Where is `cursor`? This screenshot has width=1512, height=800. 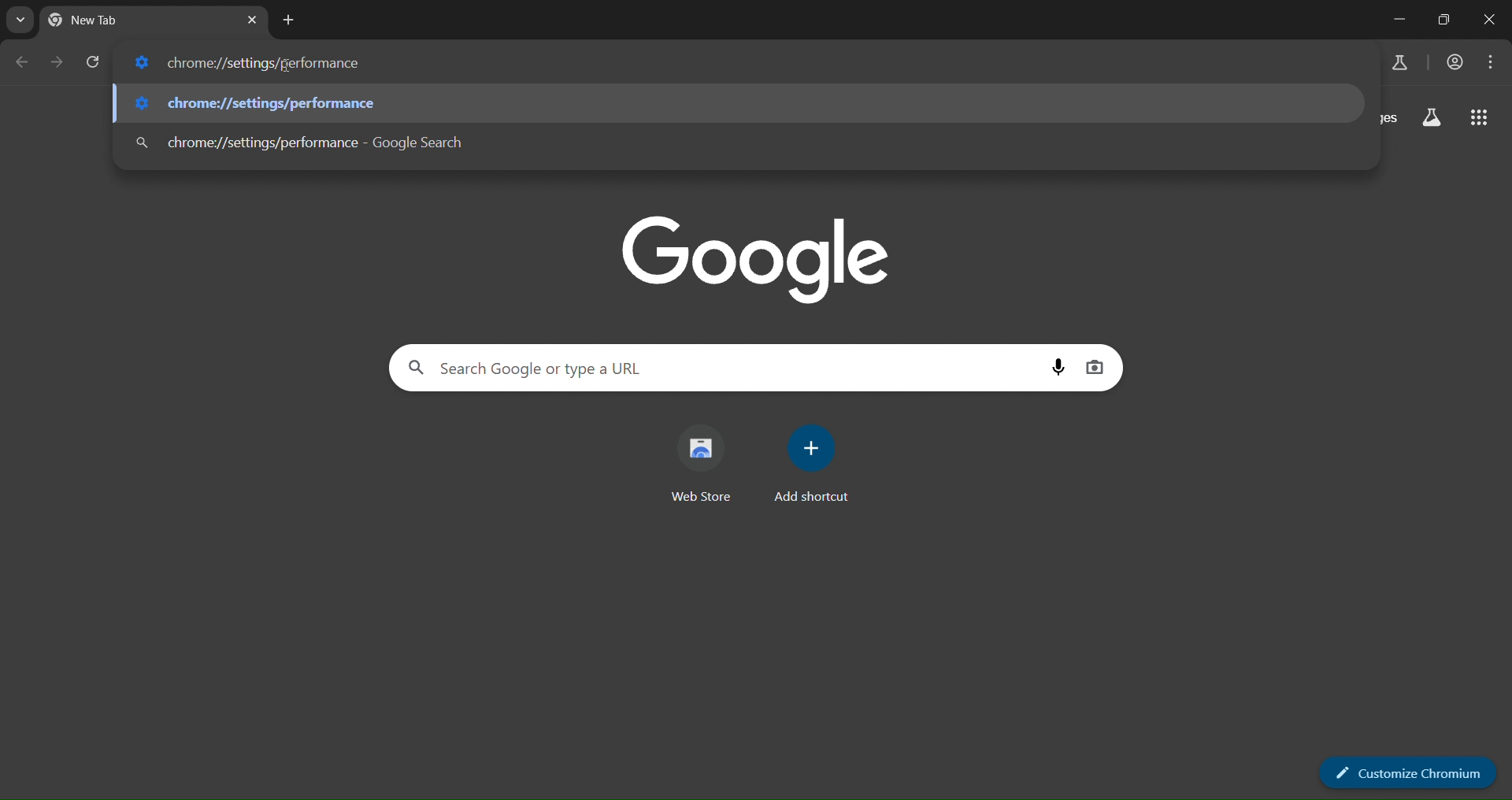
cursor is located at coordinates (283, 68).